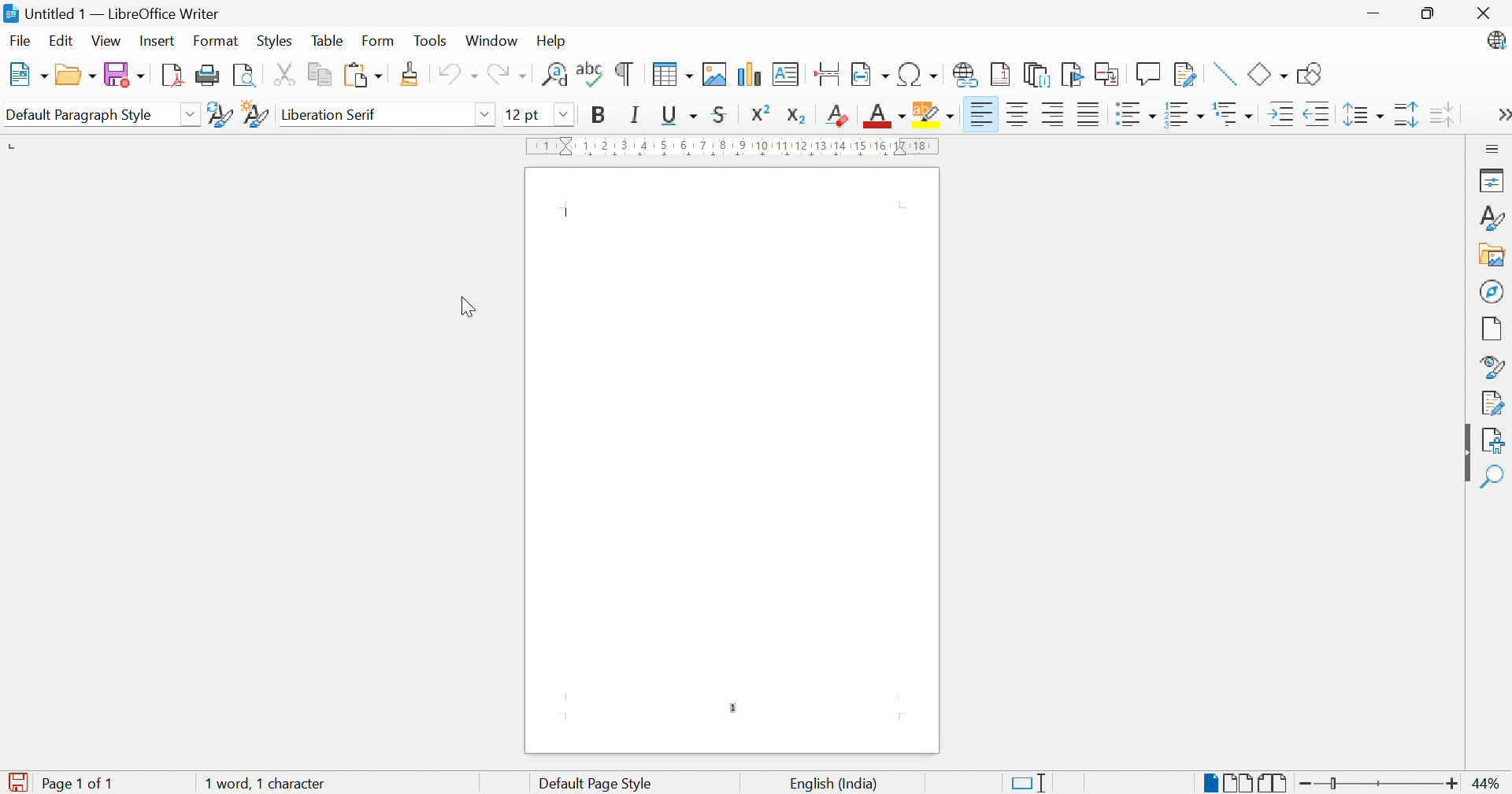  I want to click on Navigator, so click(1494, 293).